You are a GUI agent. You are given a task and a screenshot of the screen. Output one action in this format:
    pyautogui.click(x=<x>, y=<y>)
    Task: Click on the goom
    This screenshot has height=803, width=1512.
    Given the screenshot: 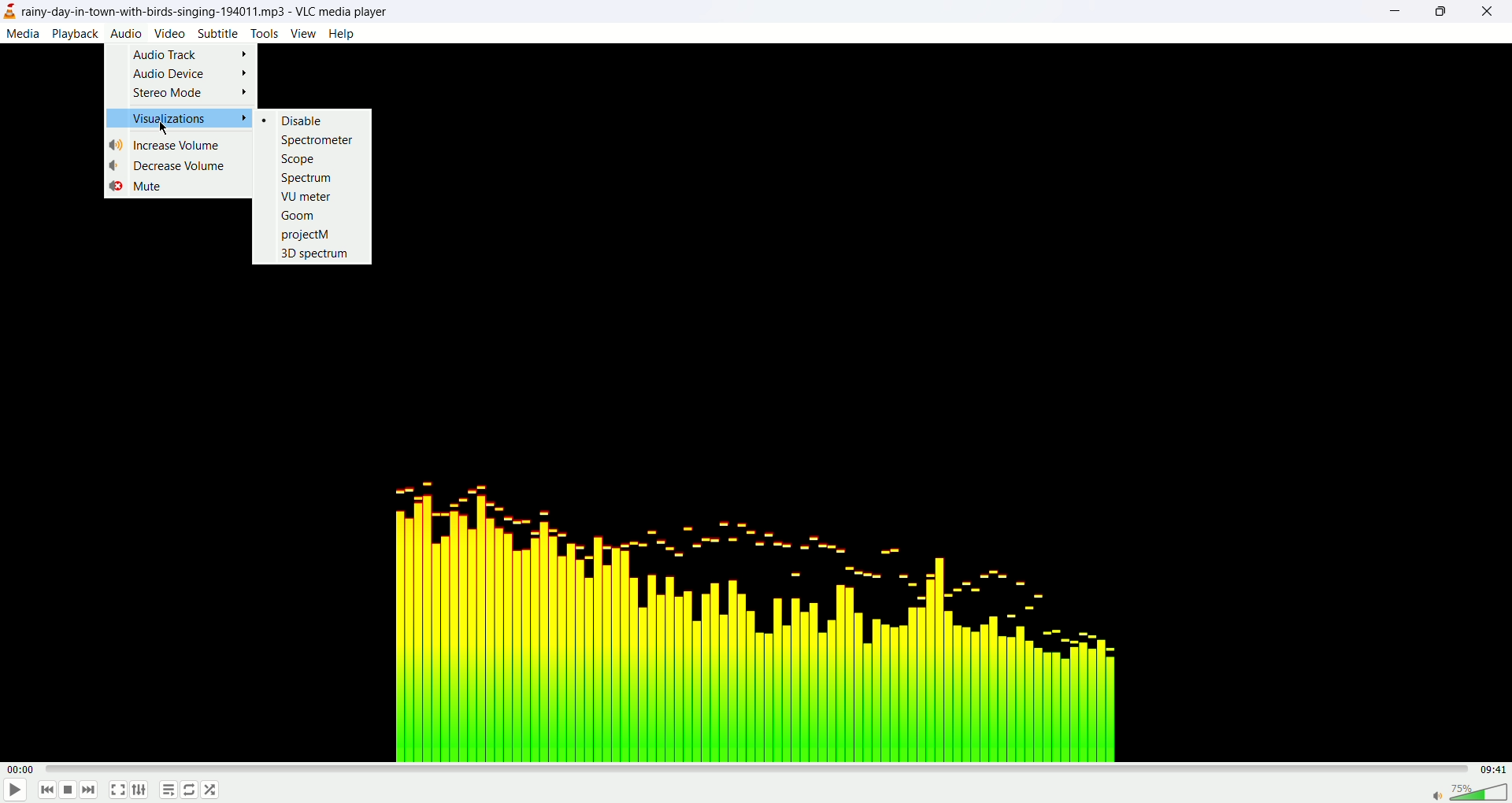 What is the action you would take?
    pyautogui.click(x=298, y=214)
    